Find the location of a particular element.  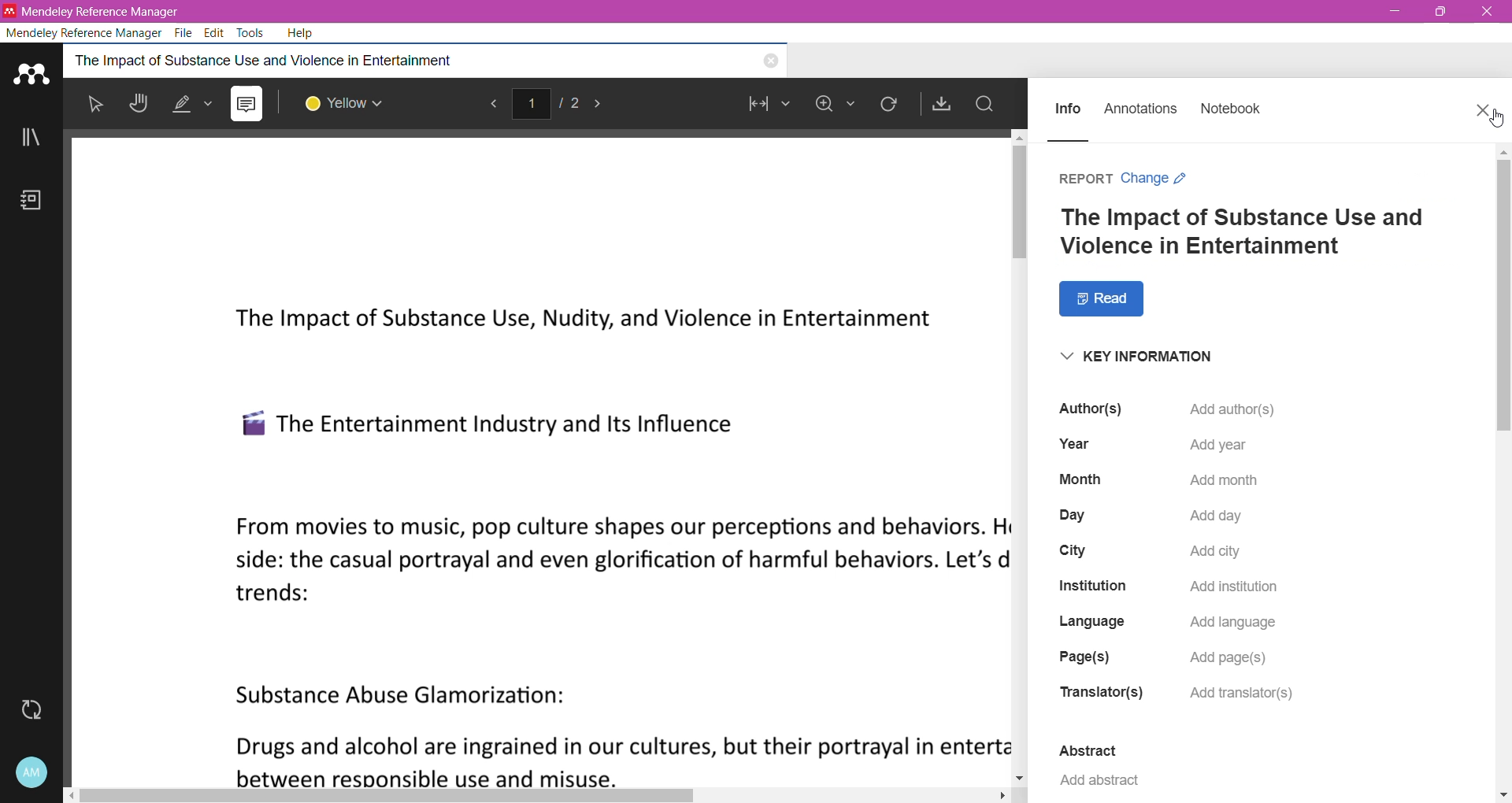

Help is located at coordinates (303, 33).